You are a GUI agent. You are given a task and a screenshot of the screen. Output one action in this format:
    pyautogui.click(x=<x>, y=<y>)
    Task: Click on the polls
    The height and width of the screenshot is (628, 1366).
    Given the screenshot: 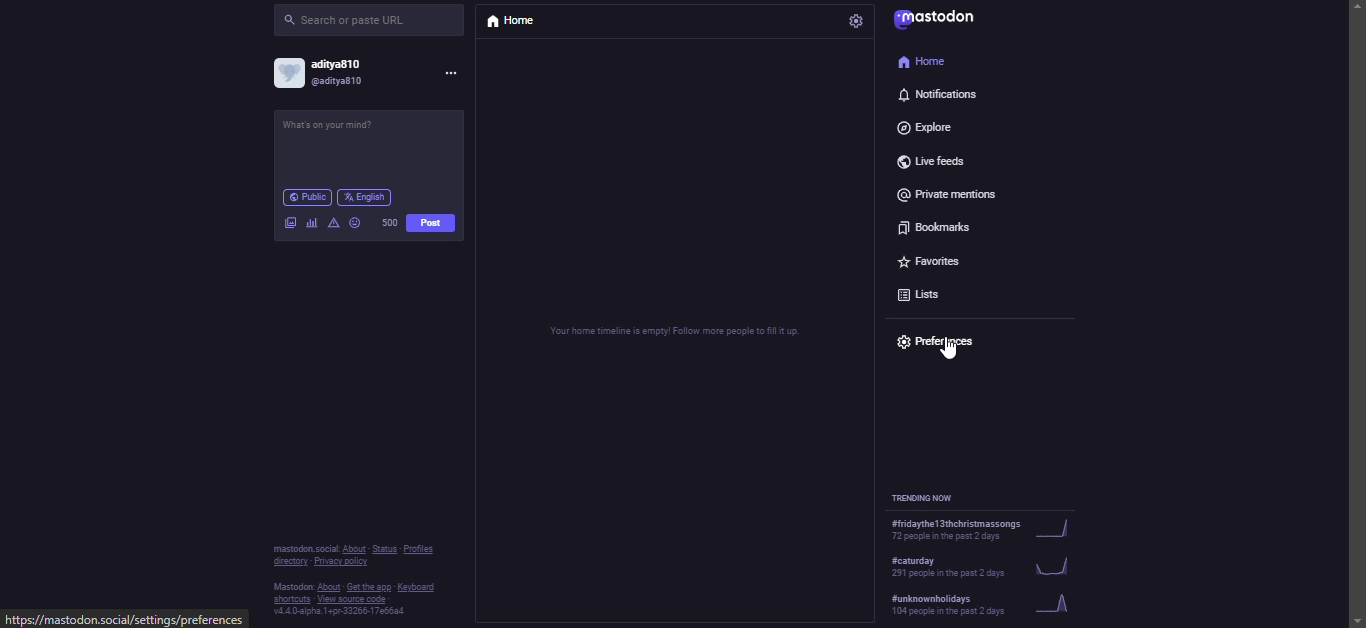 What is the action you would take?
    pyautogui.click(x=311, y=222)
    